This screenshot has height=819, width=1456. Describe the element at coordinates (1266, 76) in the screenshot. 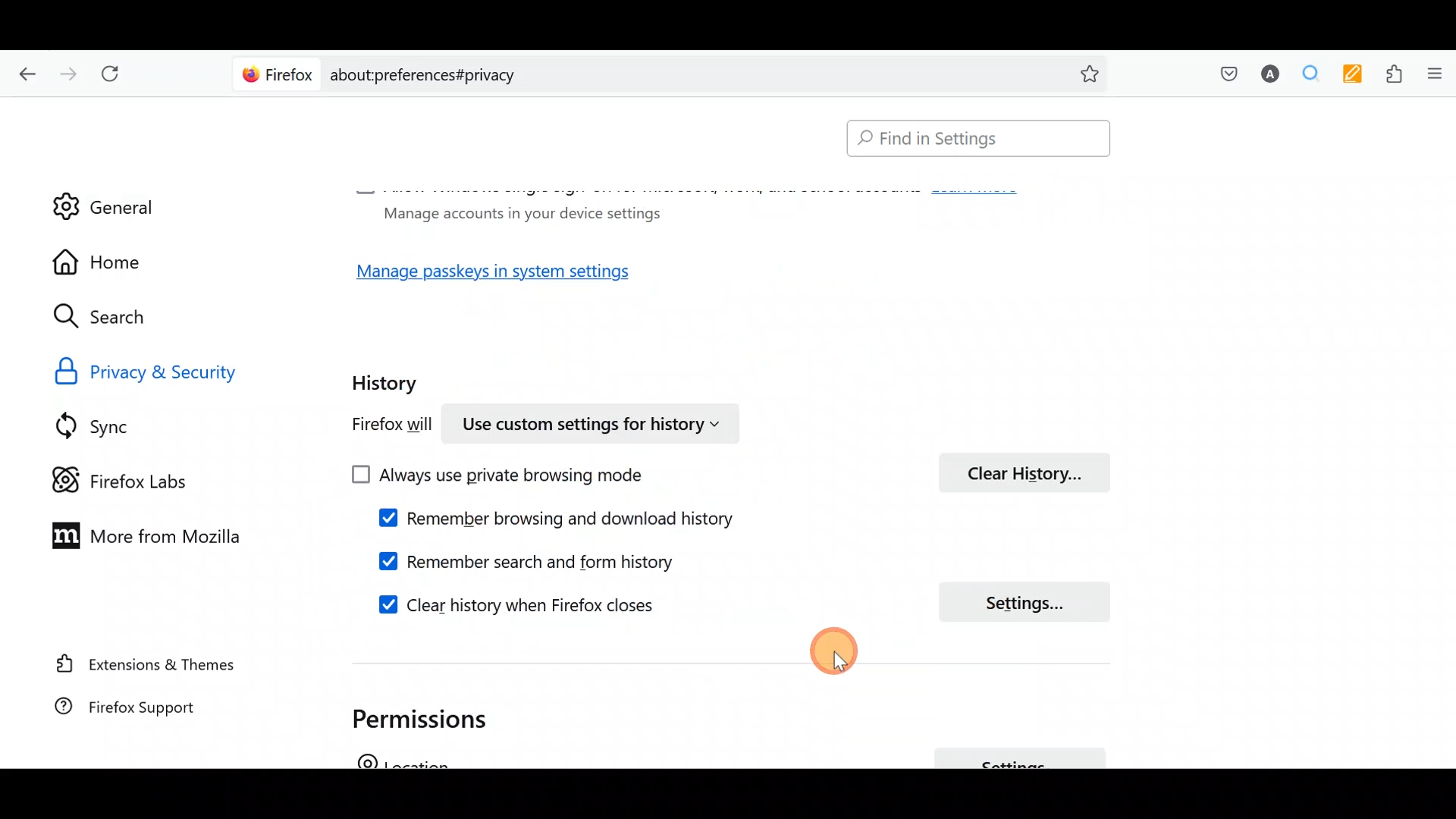

I see `Account name` at that location.